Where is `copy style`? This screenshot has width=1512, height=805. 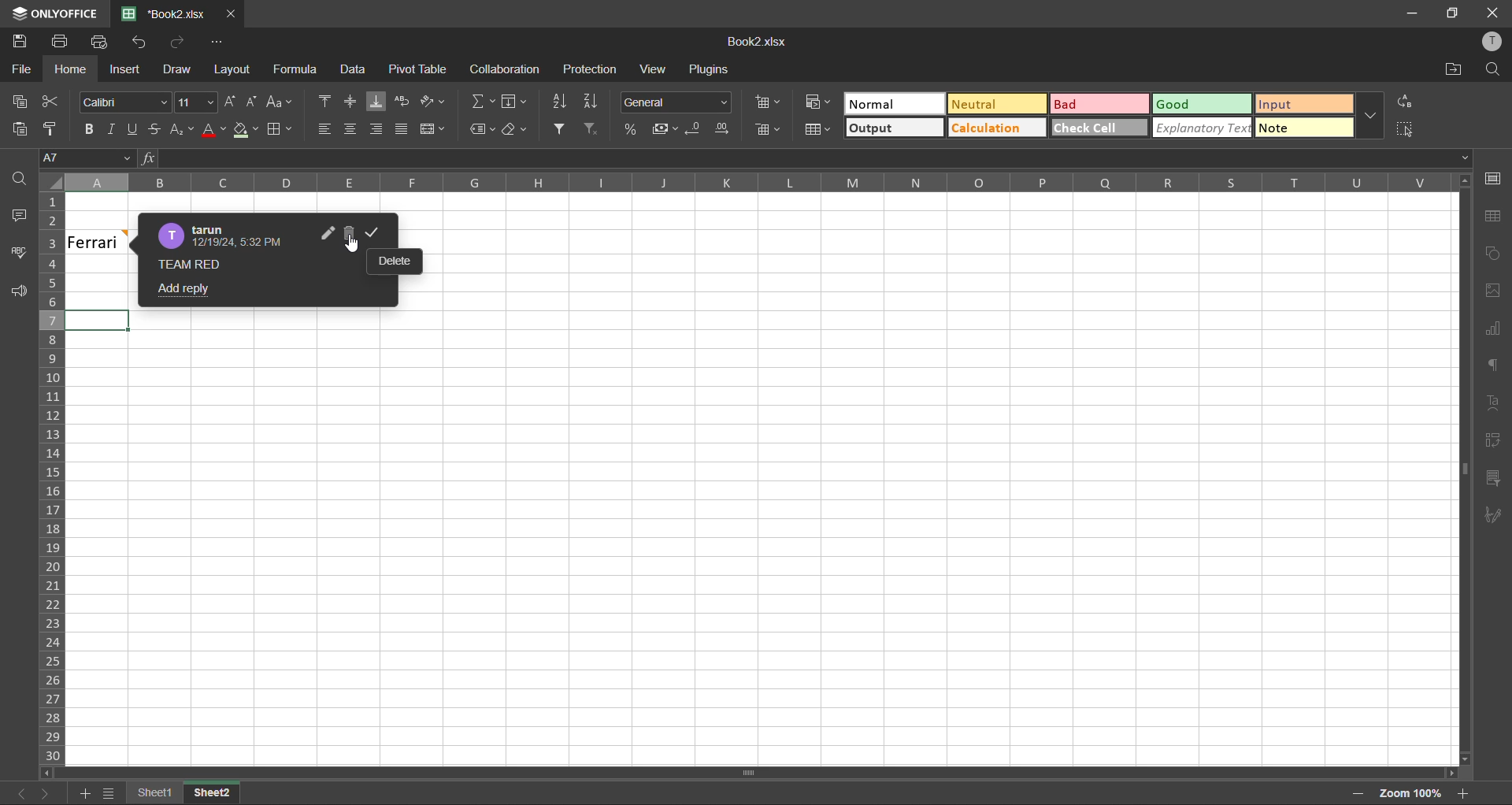 copy style is located at coordinates (57, 129).